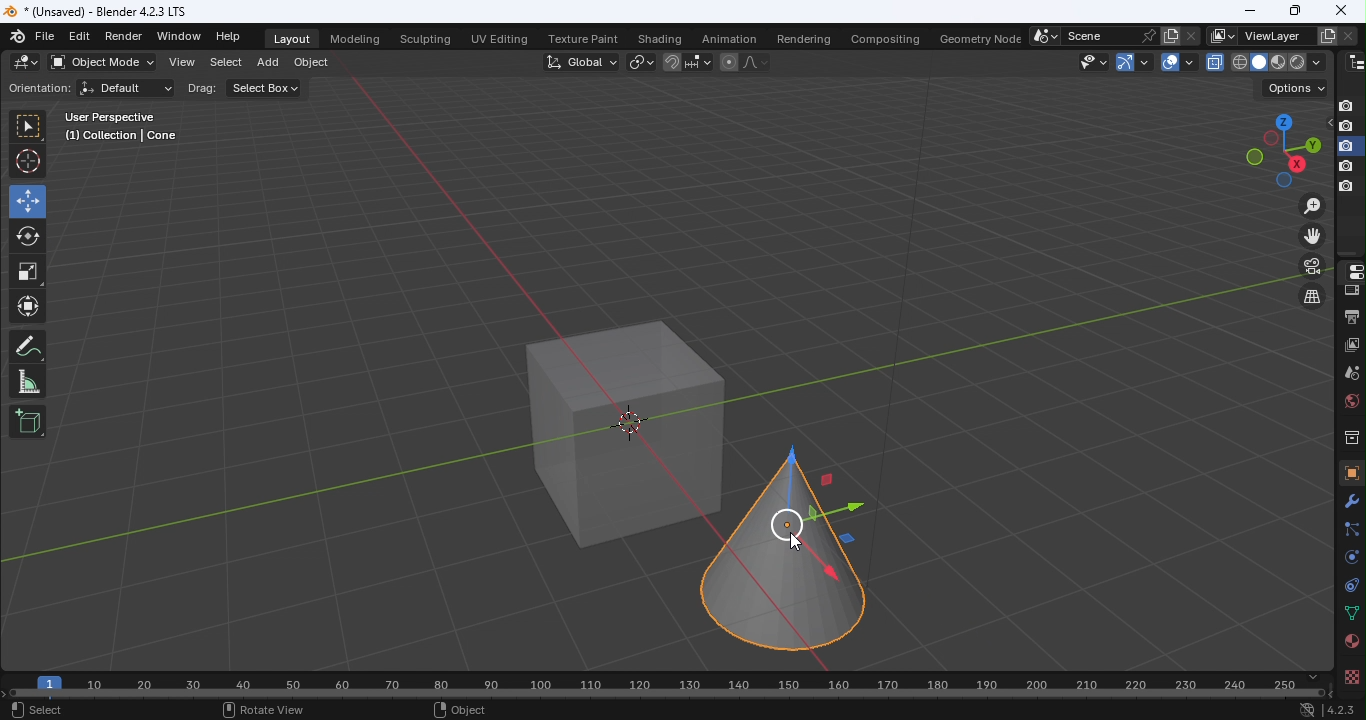  Describe the element at coordinates (1350, 291) in the screenshot. I see `Render` at that location.